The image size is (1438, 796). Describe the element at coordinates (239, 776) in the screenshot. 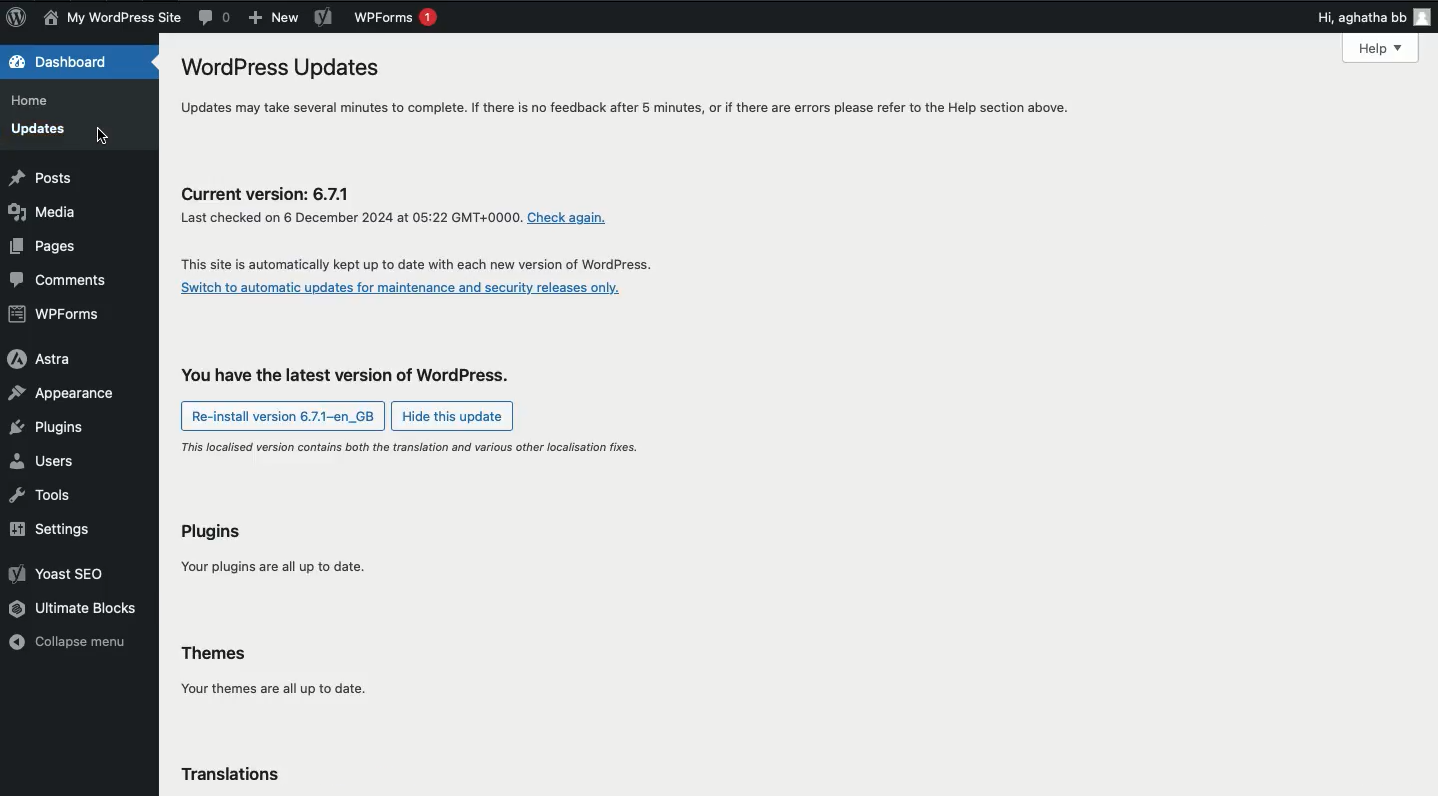

I see `Transitions` at that location.